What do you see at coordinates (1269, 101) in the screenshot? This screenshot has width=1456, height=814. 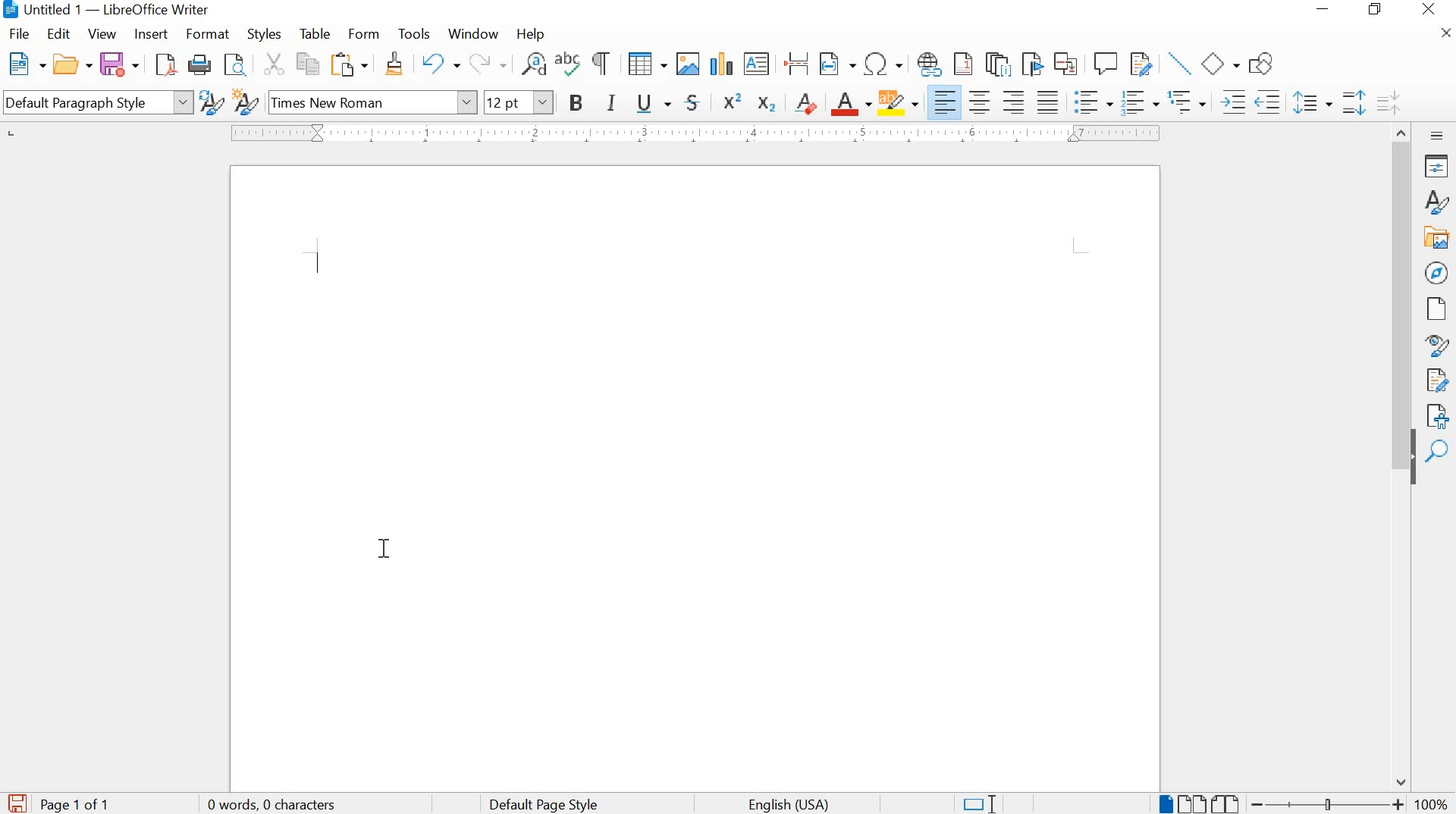 I see `DECREASE INDENT` at bounding box center [1269, 101].